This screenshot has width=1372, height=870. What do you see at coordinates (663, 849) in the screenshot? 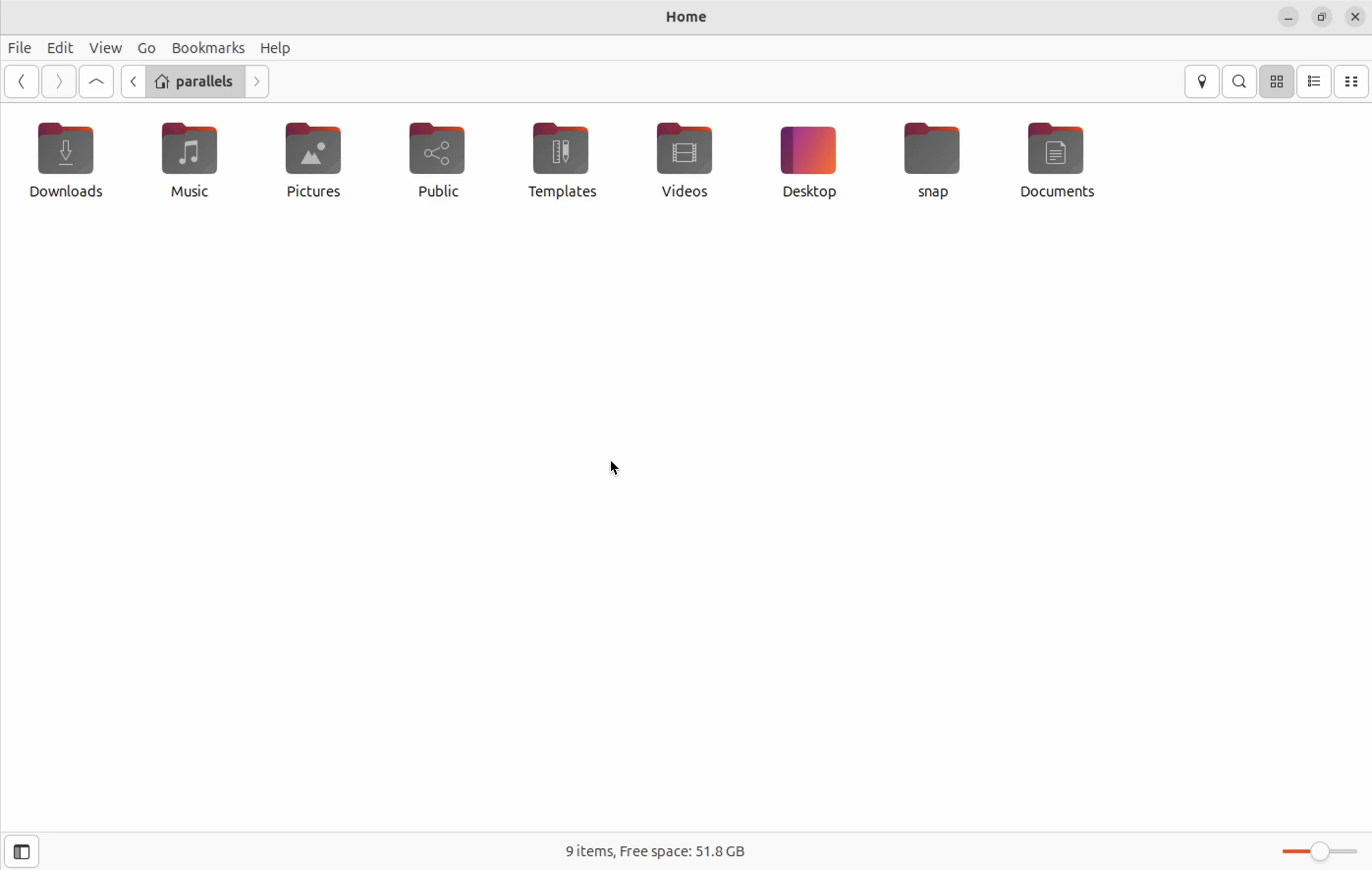
I see `9 items free space 51.31 Gb` at bounding box center [663, 849].